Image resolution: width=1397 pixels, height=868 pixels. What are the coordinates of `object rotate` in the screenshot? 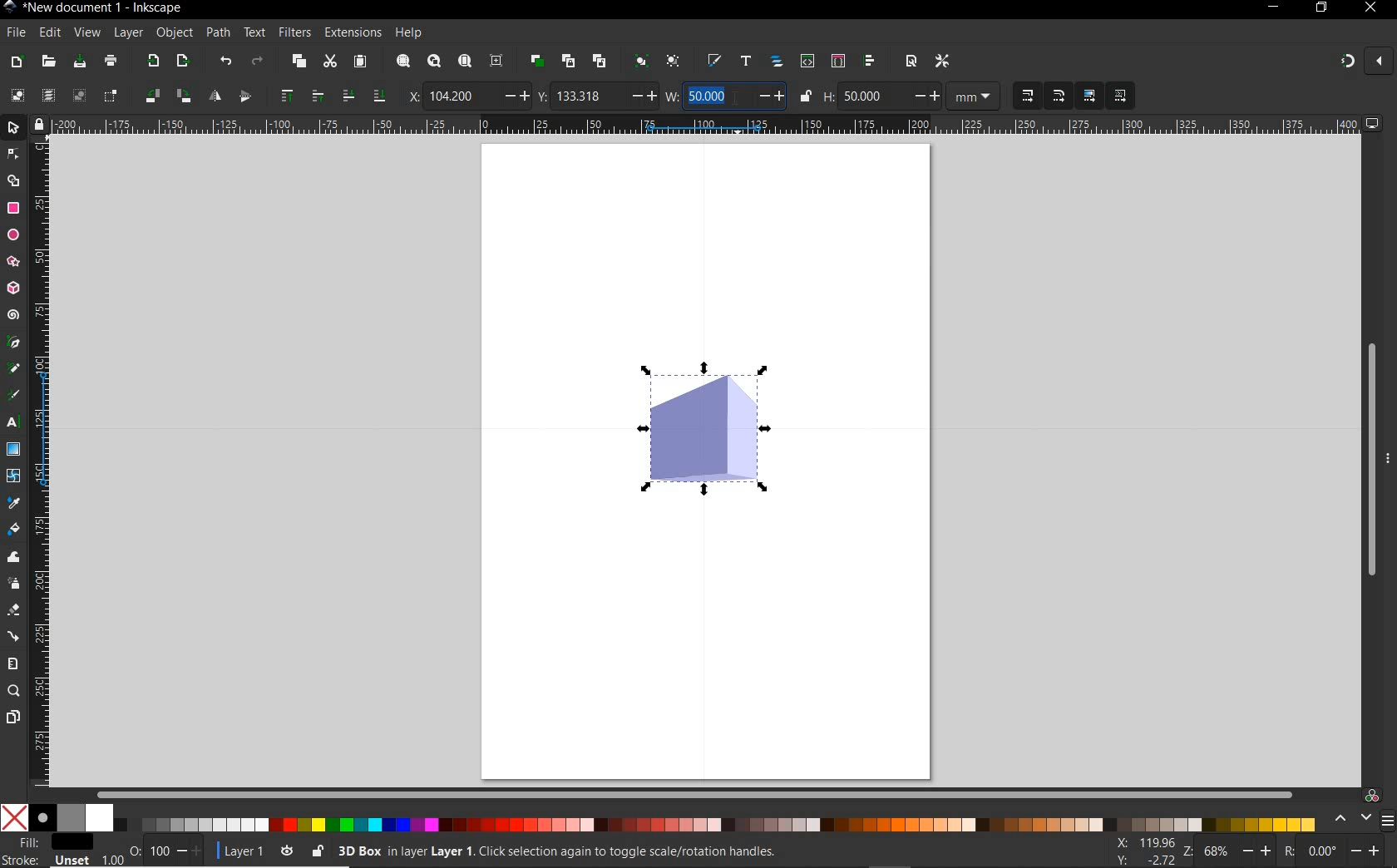 It's located at (151, 96).